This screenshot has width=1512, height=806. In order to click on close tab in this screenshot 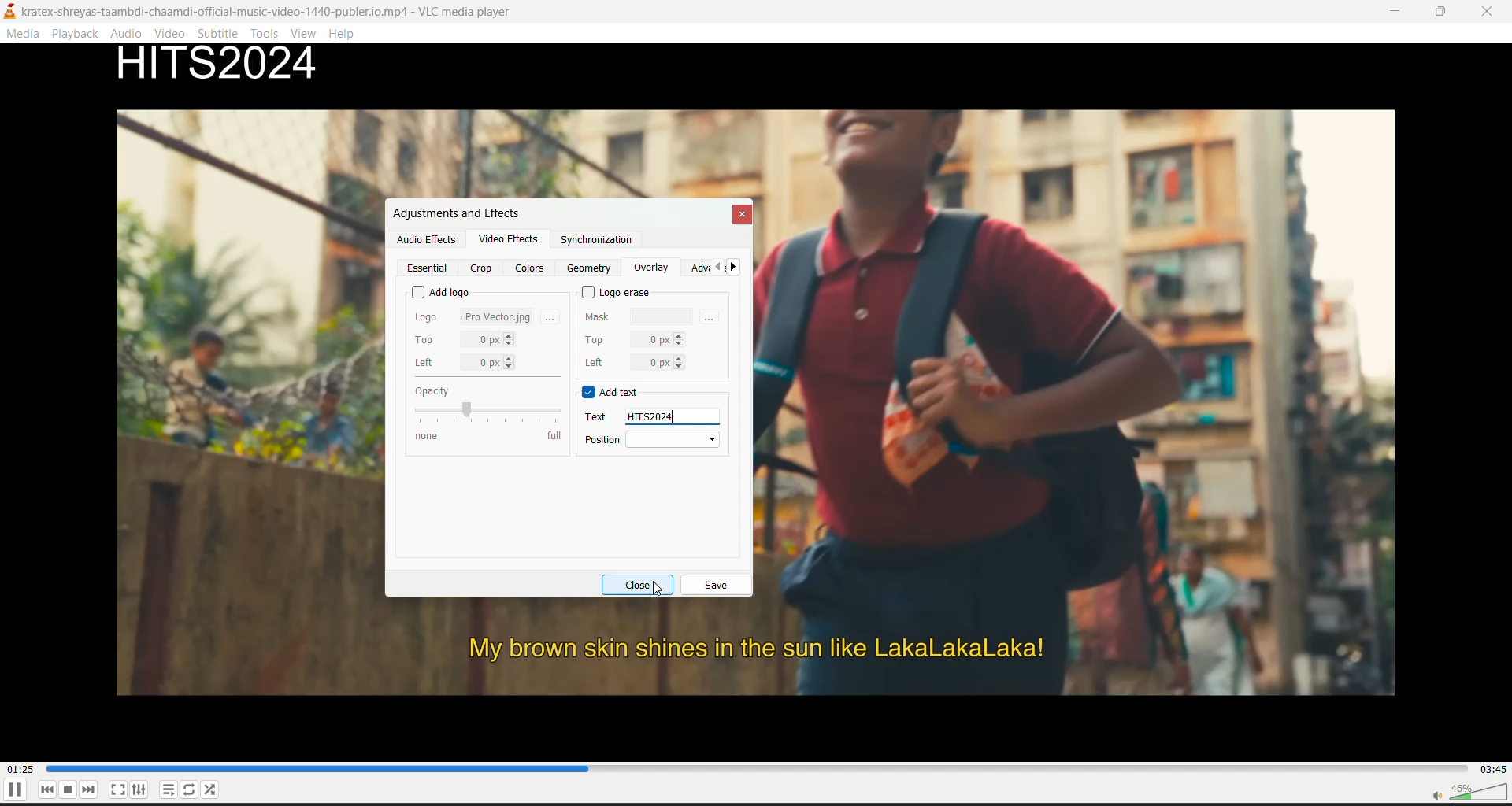, I will do `click(740, 215)`.